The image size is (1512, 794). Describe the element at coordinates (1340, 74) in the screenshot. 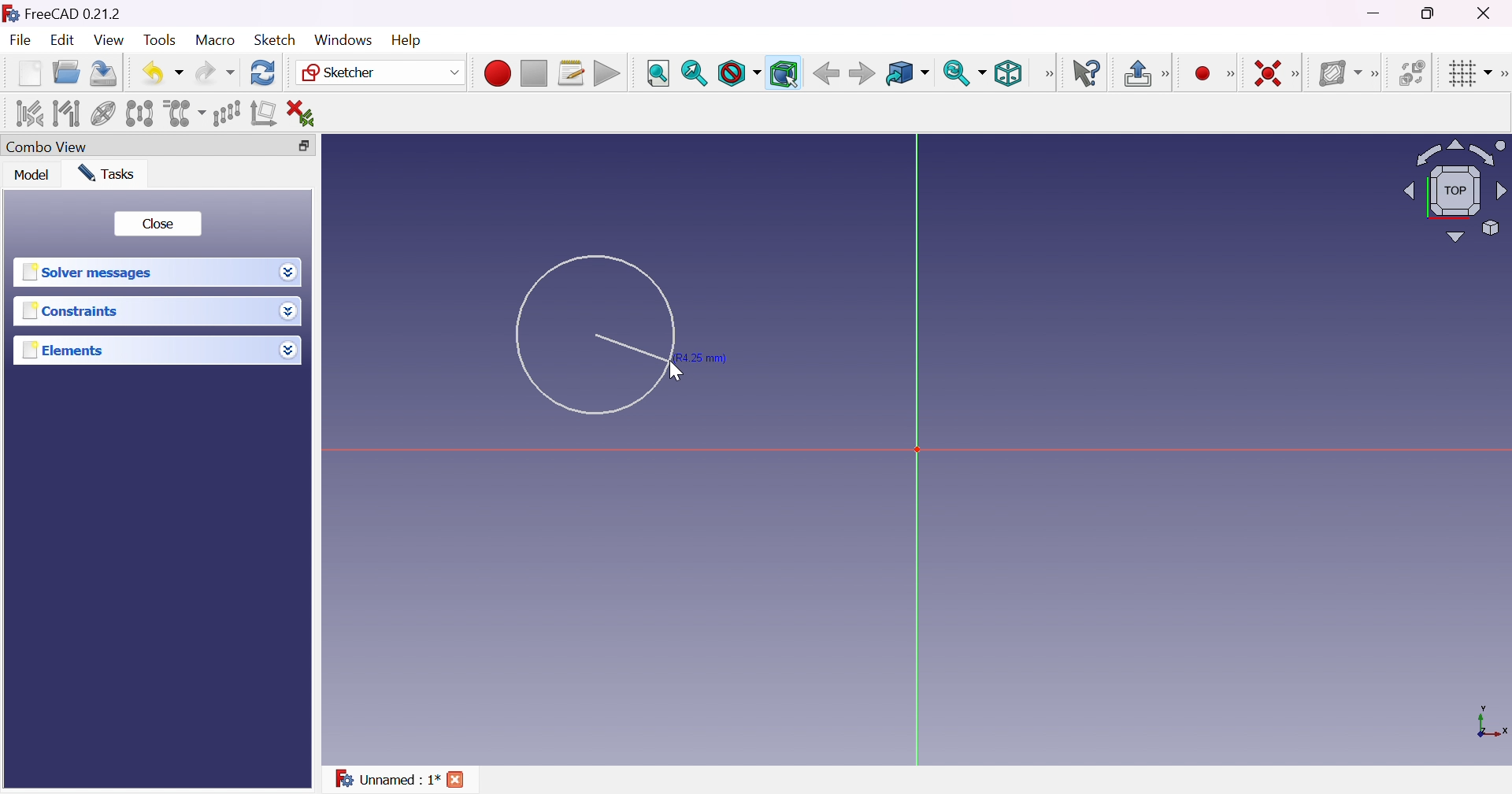

I see `Show/hide B-spline information layer` at that location.